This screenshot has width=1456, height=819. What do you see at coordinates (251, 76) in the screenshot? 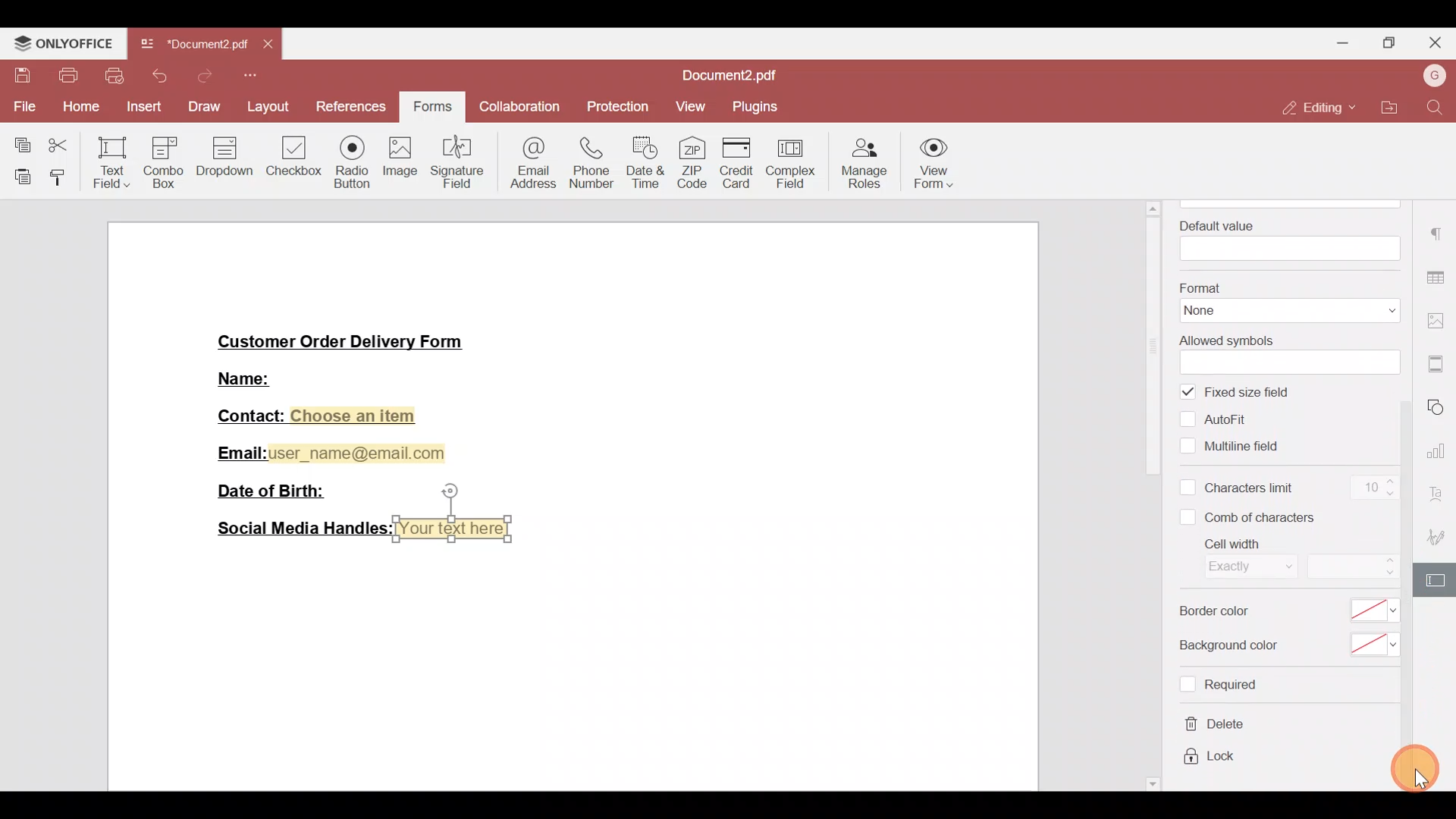
I see `Customize quick access toolbar` at bounding box center [251, 76].